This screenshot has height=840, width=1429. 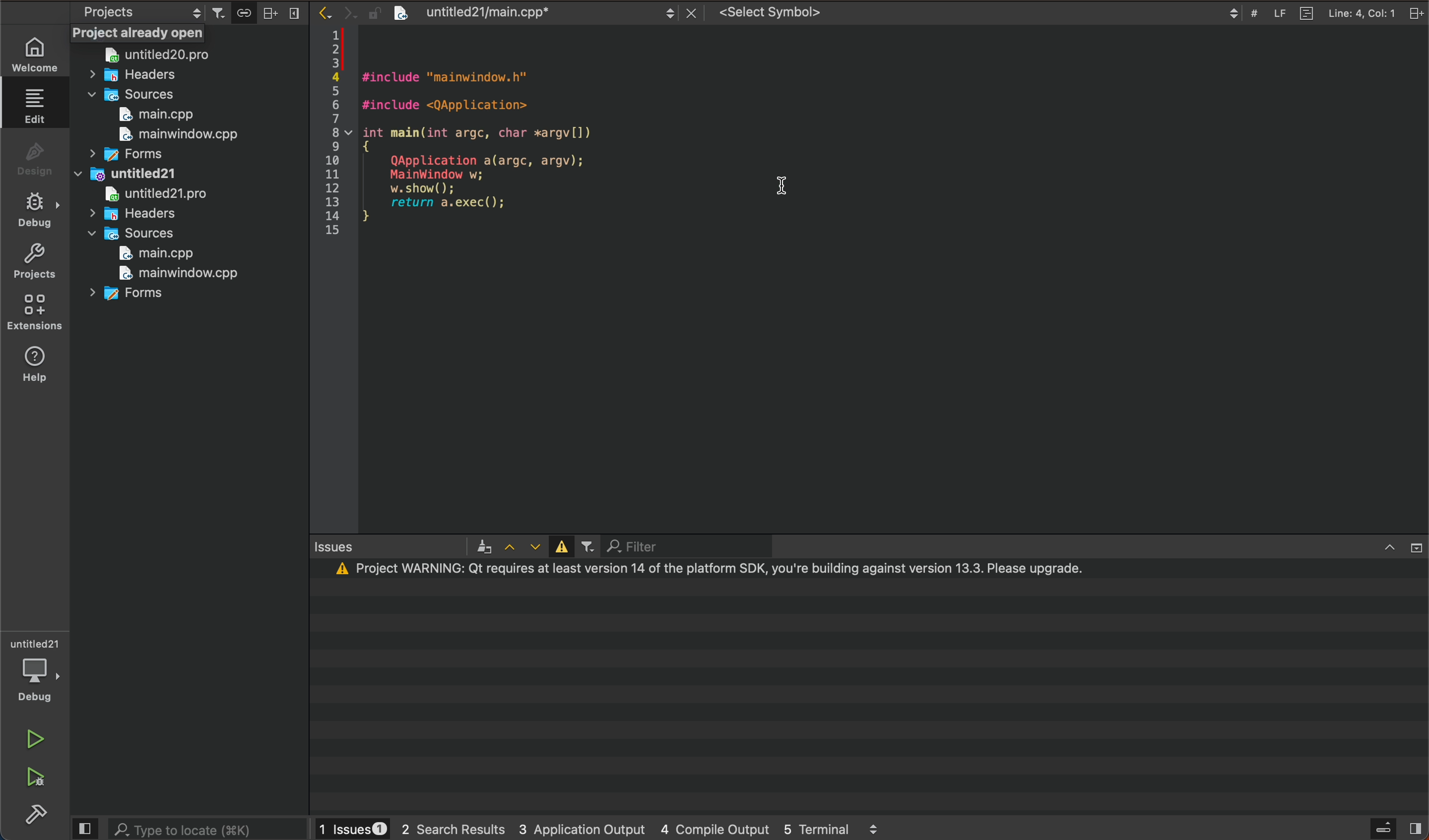 What do you see at coordinates (1418, 12) in the screenshot?
I see `log out` at bounding box center [1418, 12].